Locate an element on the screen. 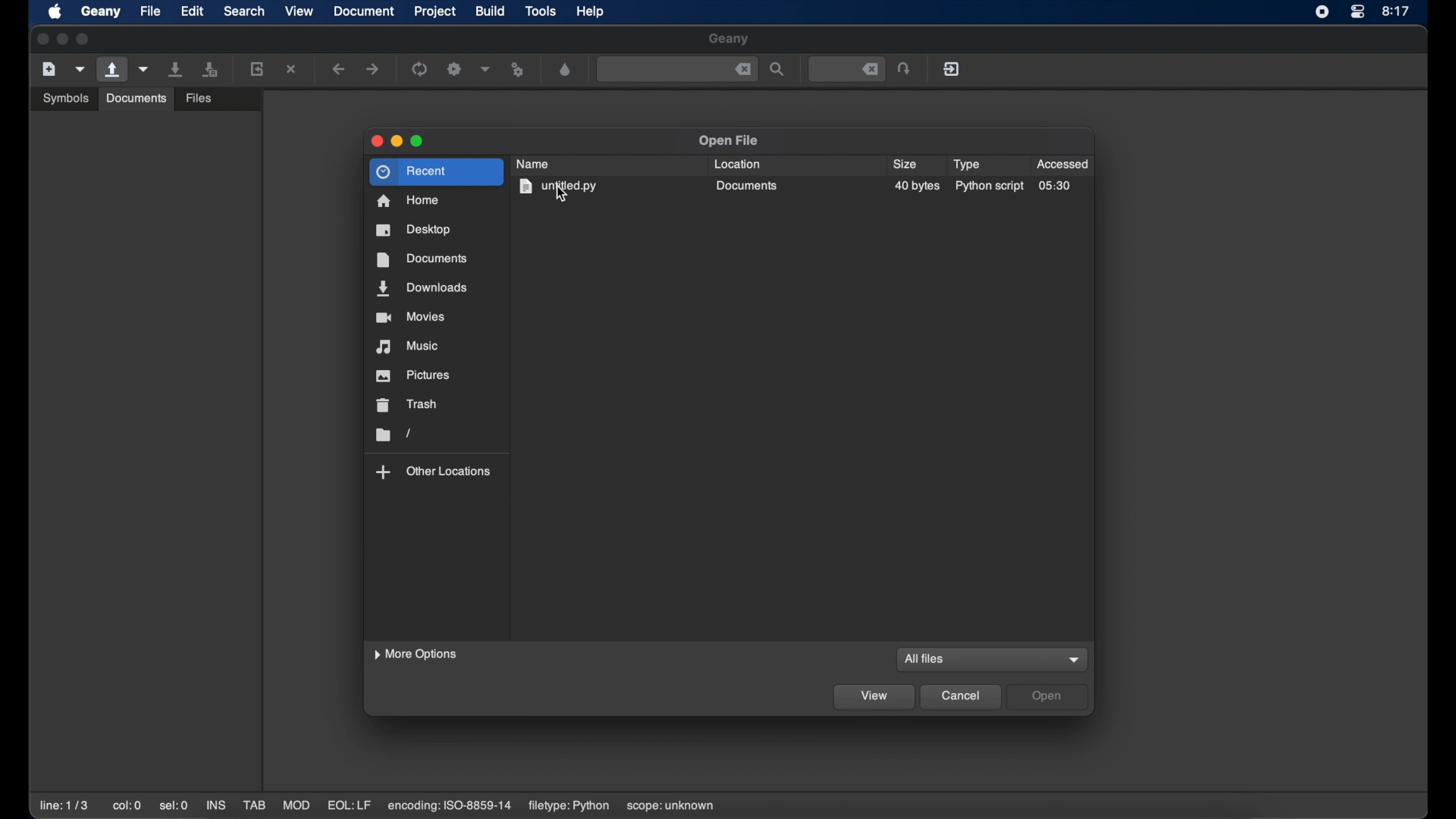 Image resolution: width=1456 pixels, height=819 pixels. python script is located at coordinates (989, 187).